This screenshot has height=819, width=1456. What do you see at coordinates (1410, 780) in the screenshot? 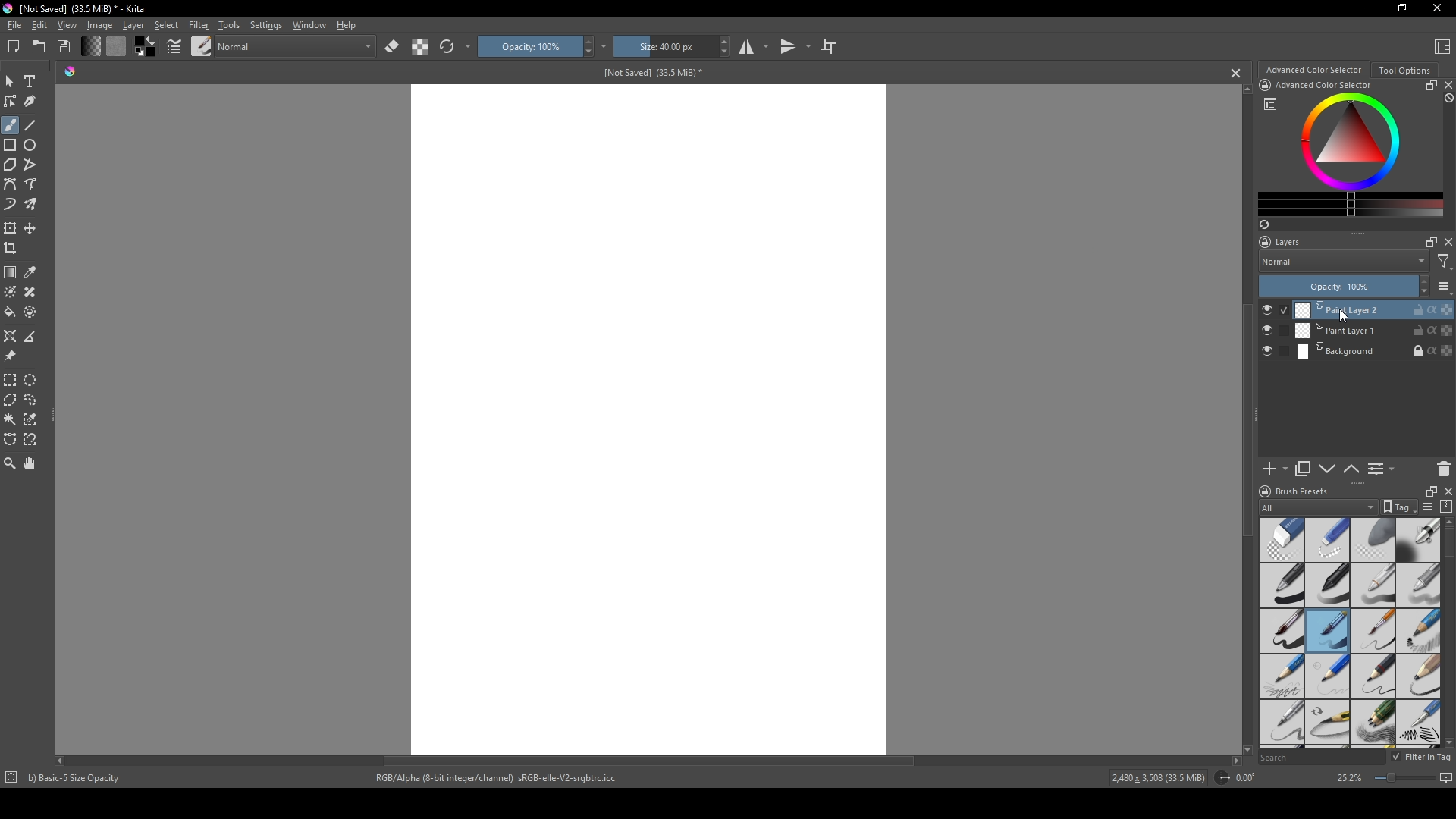
I see `screen size` at bounding box center [1410, 780].